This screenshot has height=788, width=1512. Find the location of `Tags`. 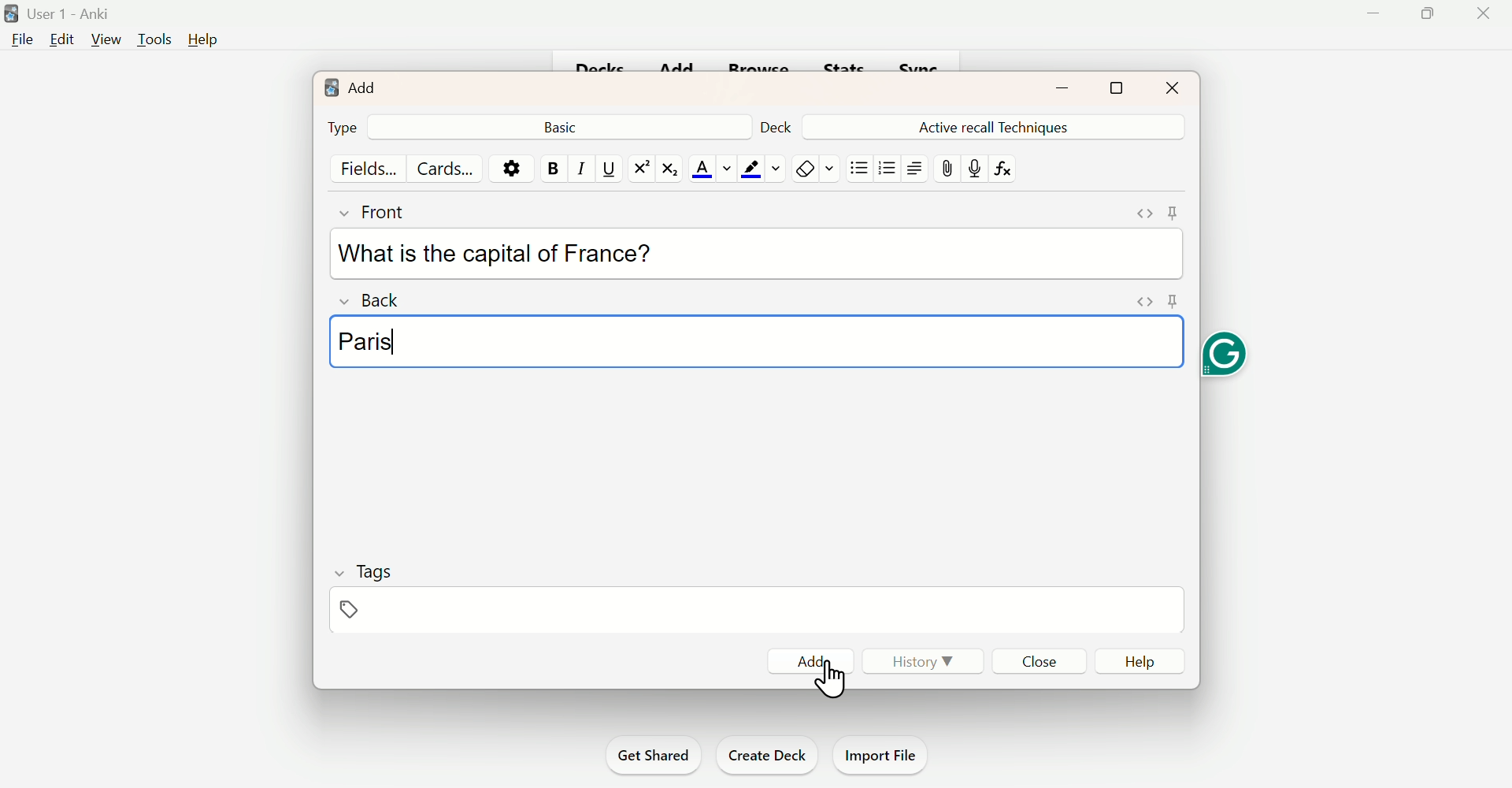

Tags is located at coordinates (369, 592).